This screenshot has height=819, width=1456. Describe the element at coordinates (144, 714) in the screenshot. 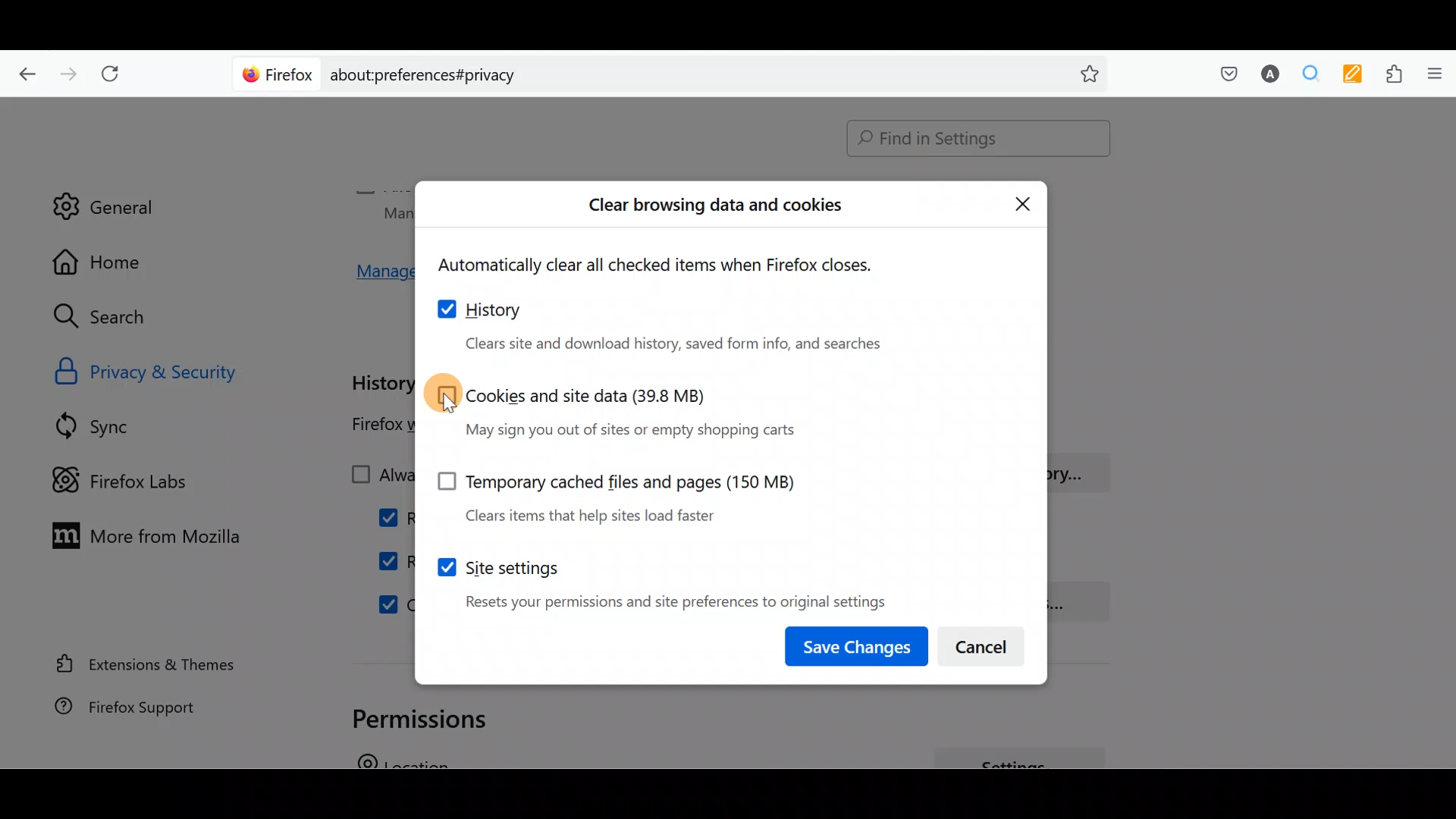

I see `Firefox support` at that location.